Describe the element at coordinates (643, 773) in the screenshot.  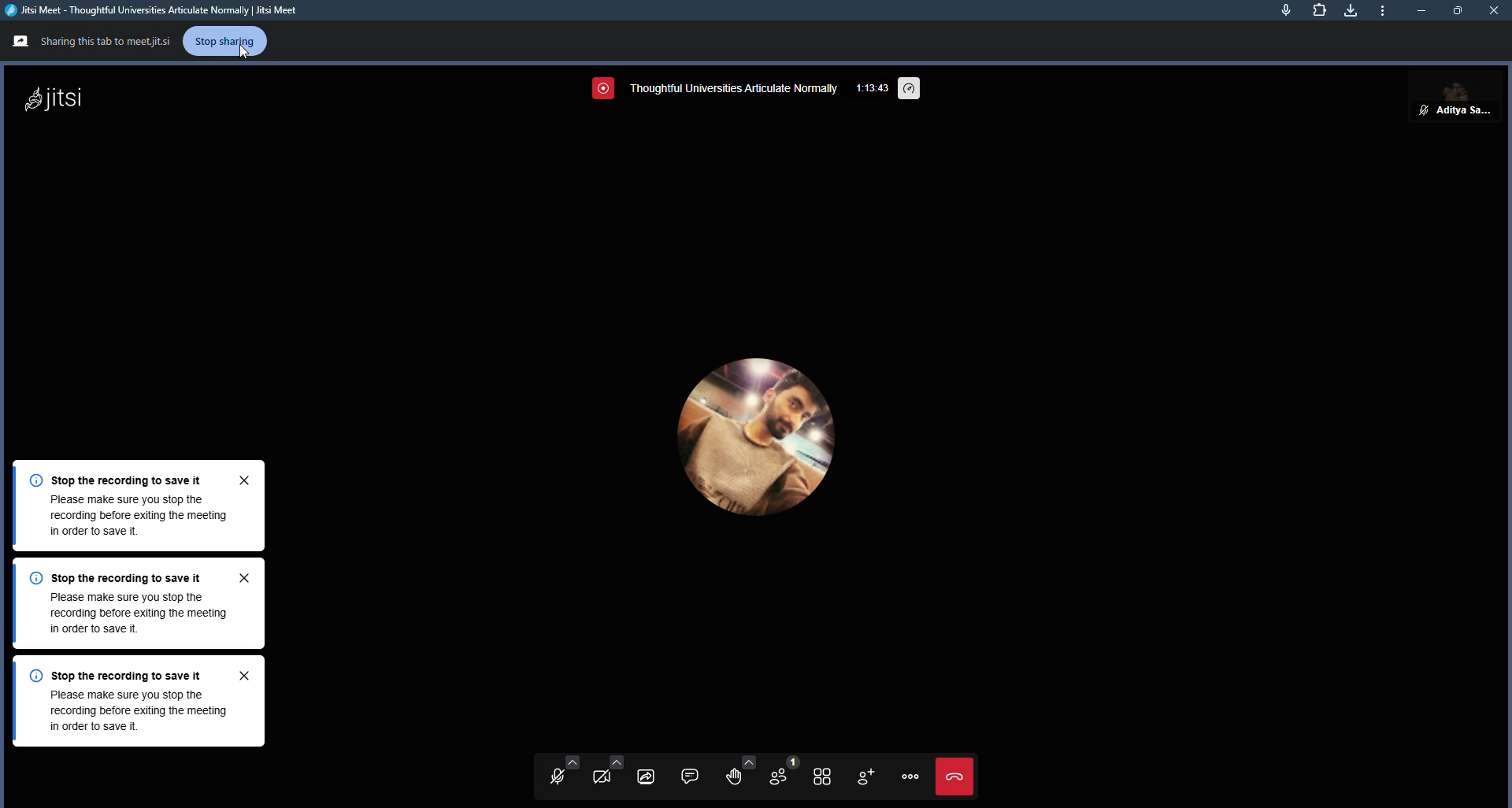
I see `start screen sharing` at that location.